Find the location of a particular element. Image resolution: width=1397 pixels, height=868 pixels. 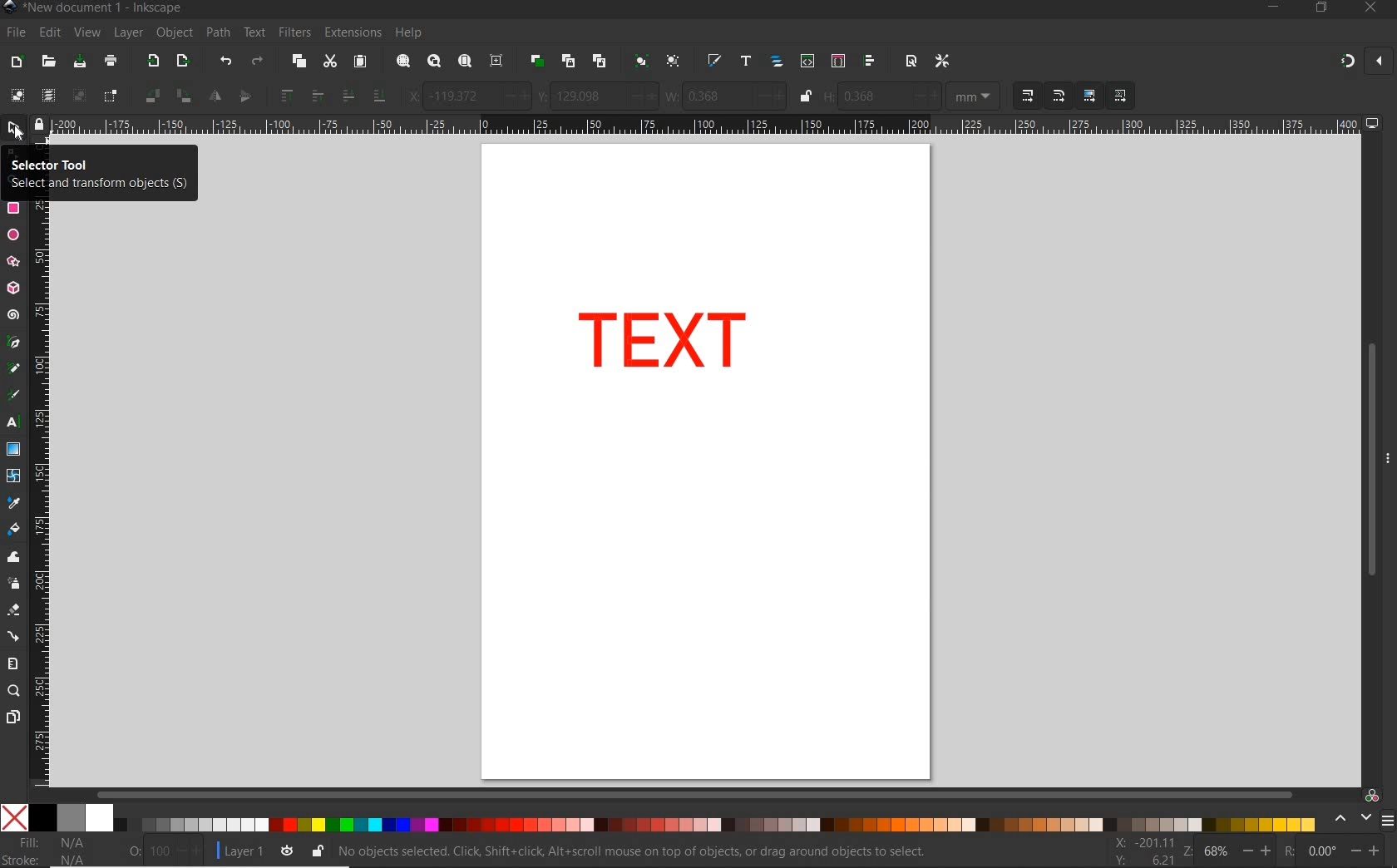

OPEN DOCUMENT PROPERTIES is located at coordinates (911, 61).